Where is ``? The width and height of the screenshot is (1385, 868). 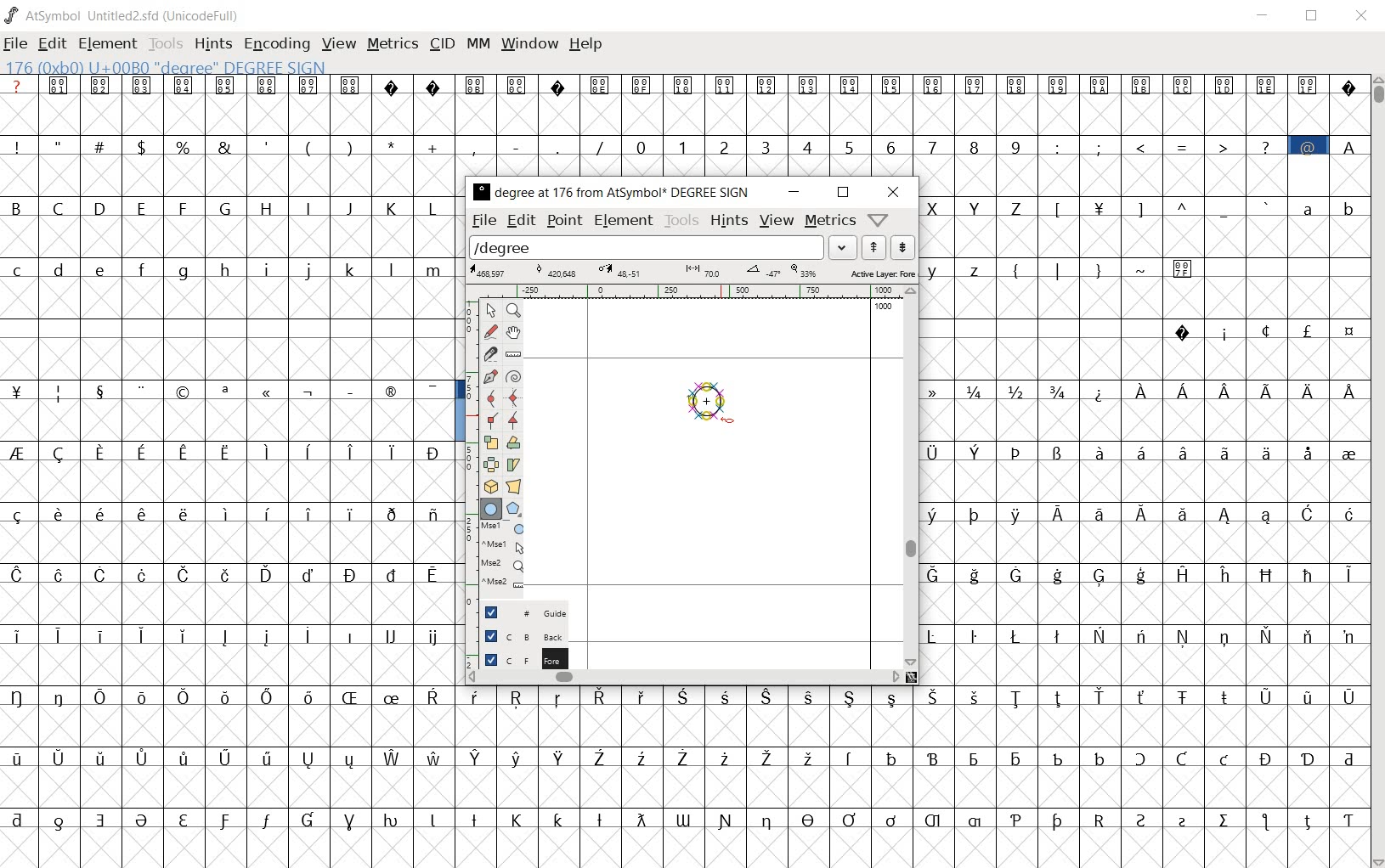
 is located at coordinates (229, 511).